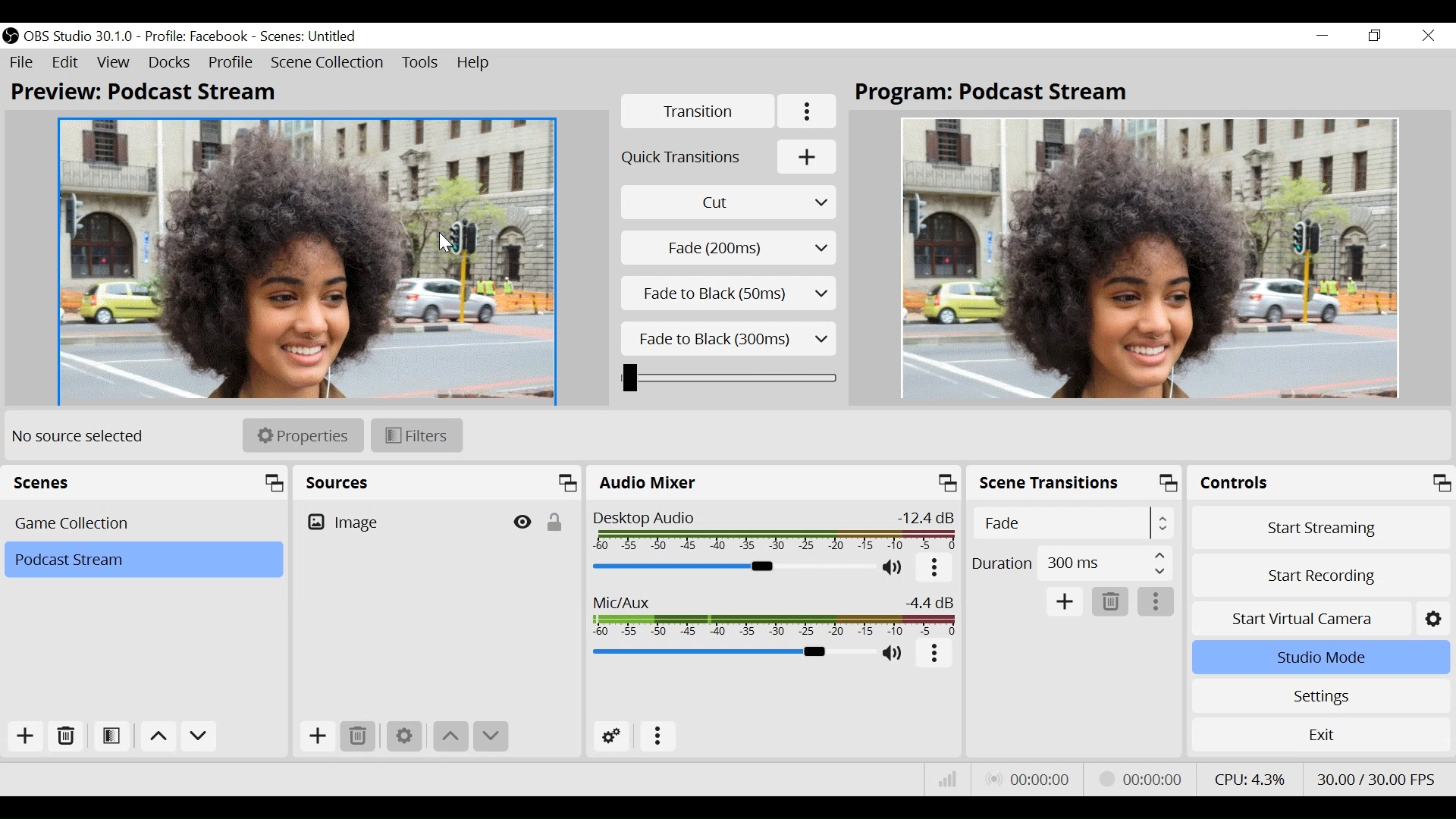 Image resolution: width=1456 pixels, height=819 pixels. Describe the element at coordinates (66, 63) in the screenshot. I see `Edit` at that location.